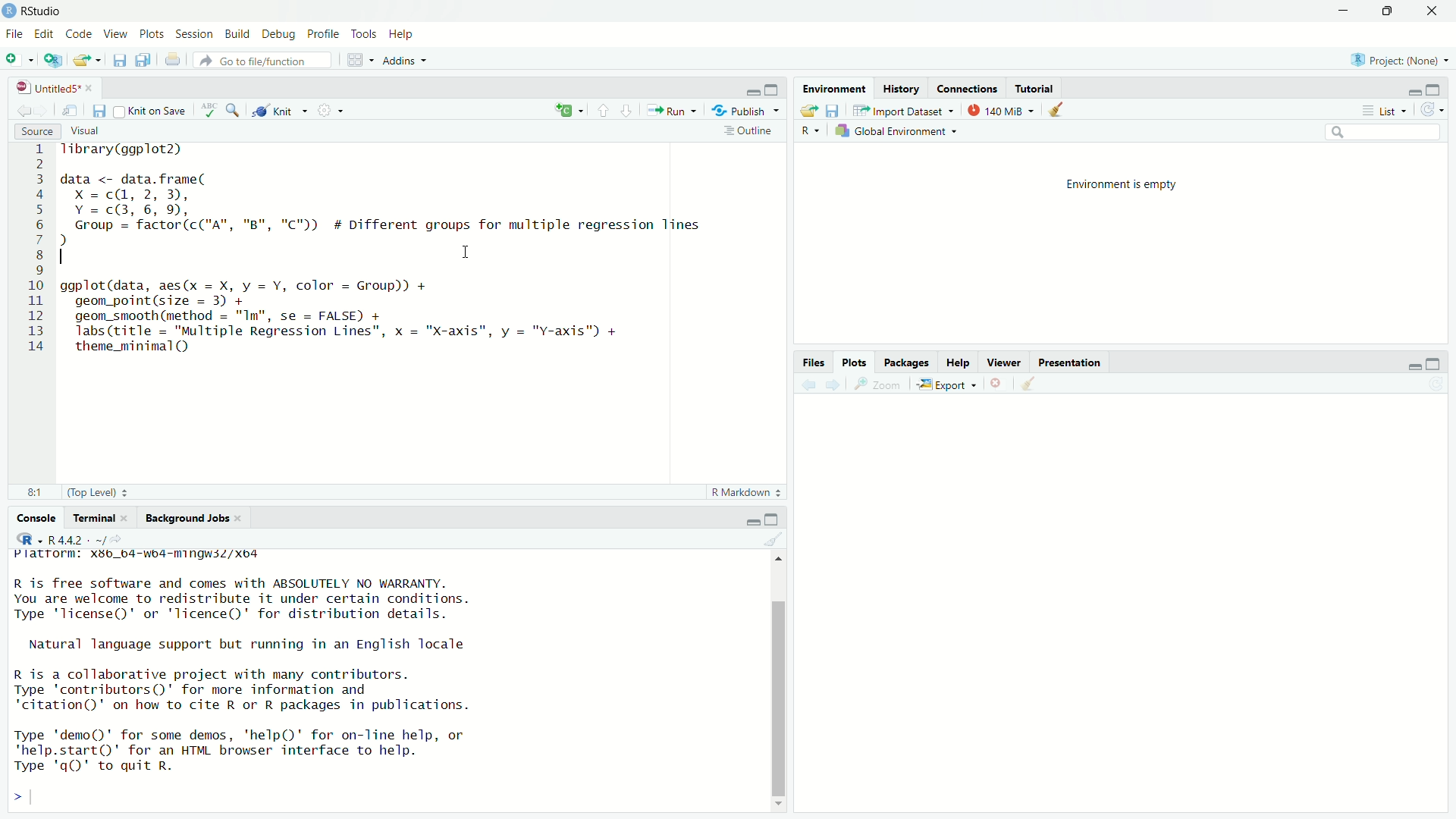  Describe the element at coordinates (1073, 362) in the screenshot. I see `Presentation` at that location.